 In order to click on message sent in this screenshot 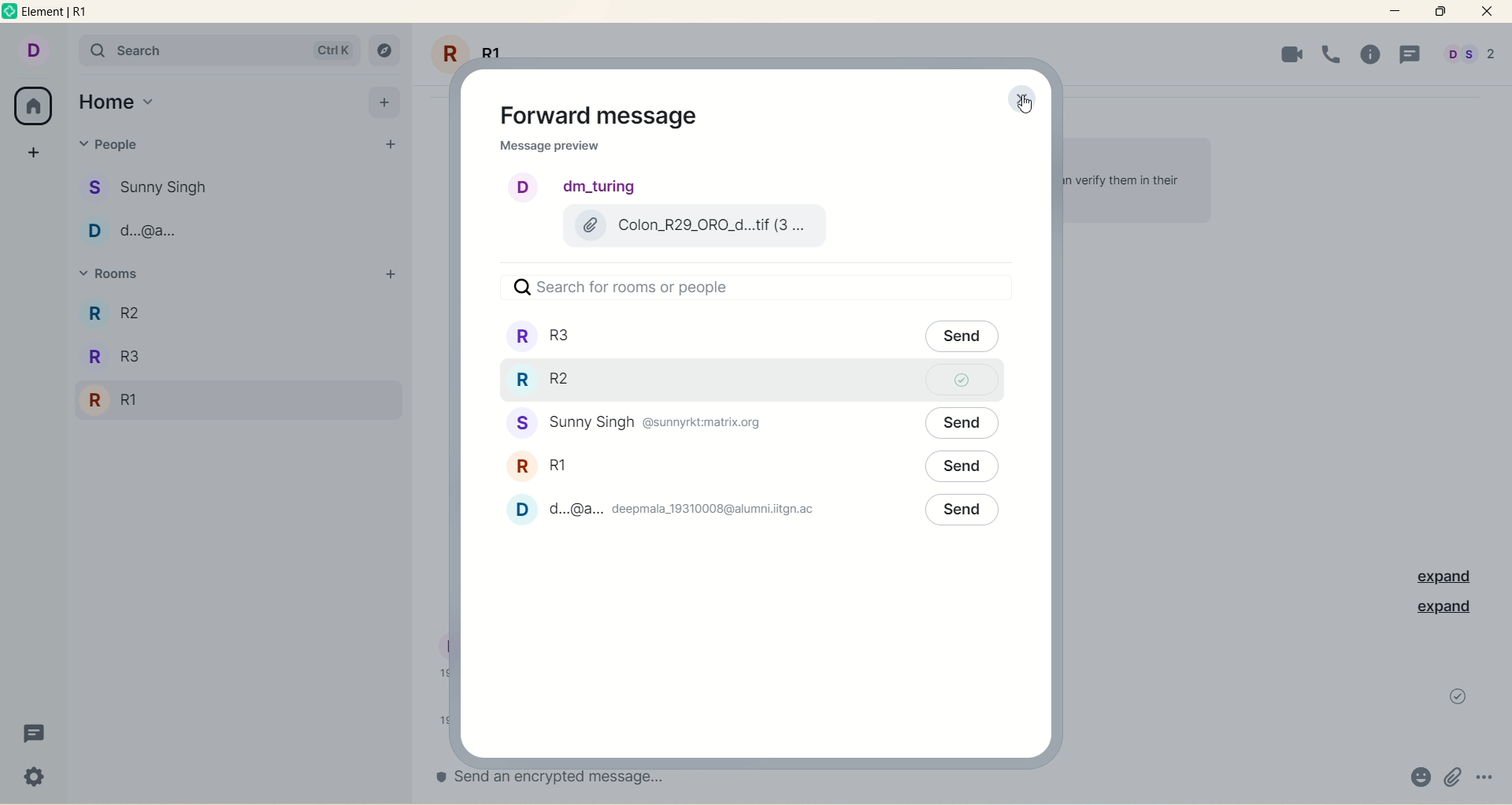, I will do `click(1458, 696)`.